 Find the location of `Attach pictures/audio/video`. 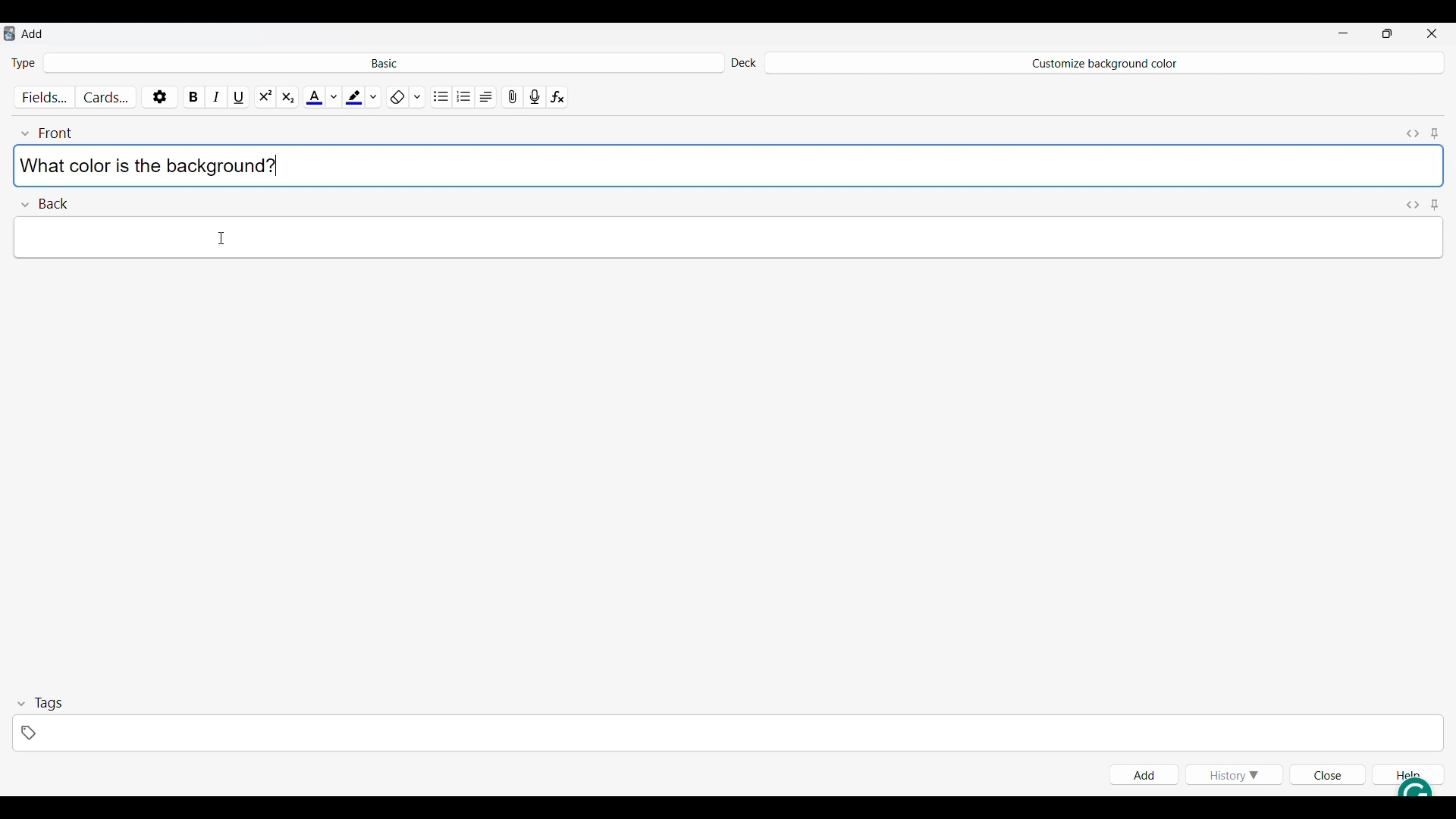

Attach pictures/audio/video is located at coordinates (513, 95).